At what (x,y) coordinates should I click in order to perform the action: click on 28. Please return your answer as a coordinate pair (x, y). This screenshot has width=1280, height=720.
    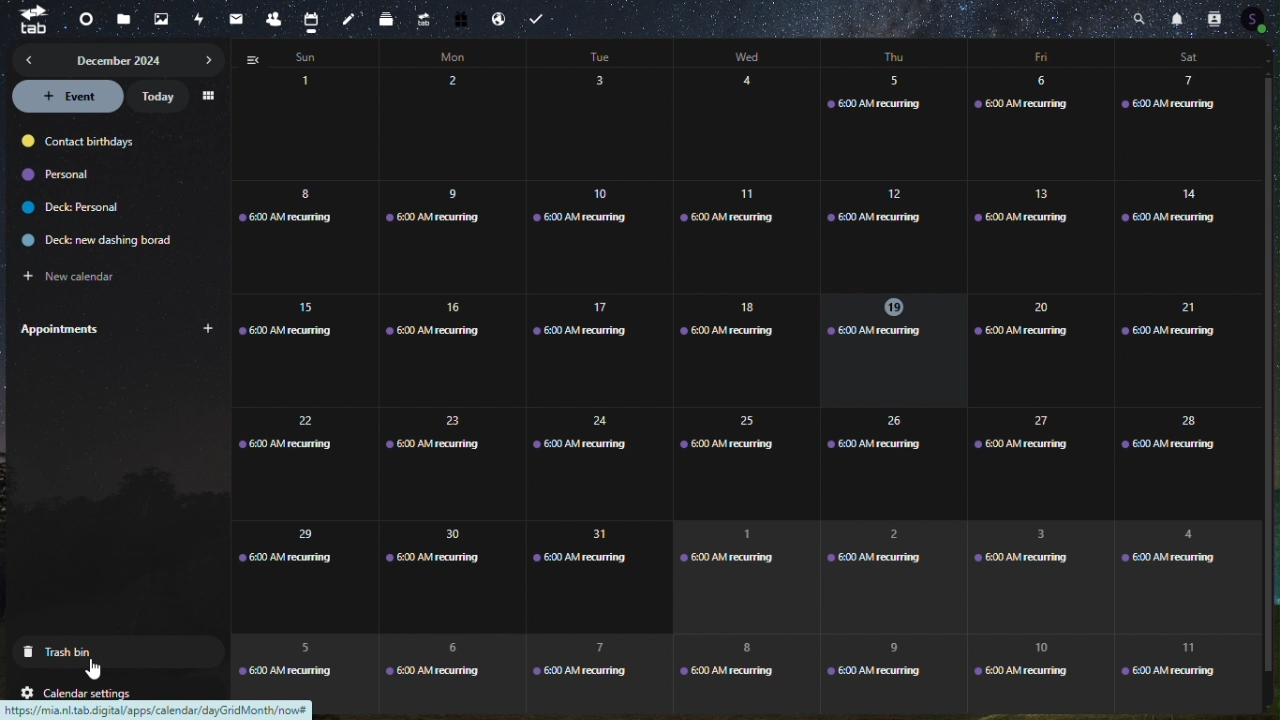
    Looking at the image, I should click on (1186, 451).